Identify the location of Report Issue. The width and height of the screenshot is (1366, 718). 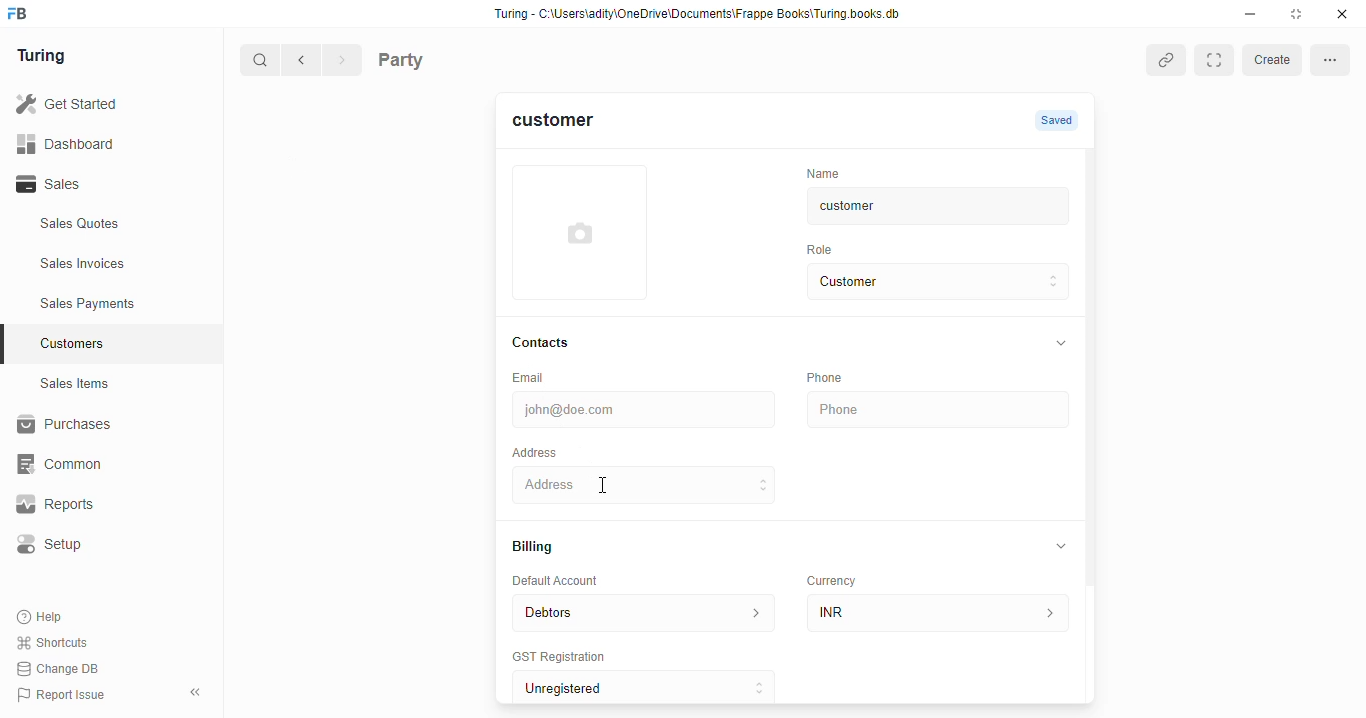
(65, 693).